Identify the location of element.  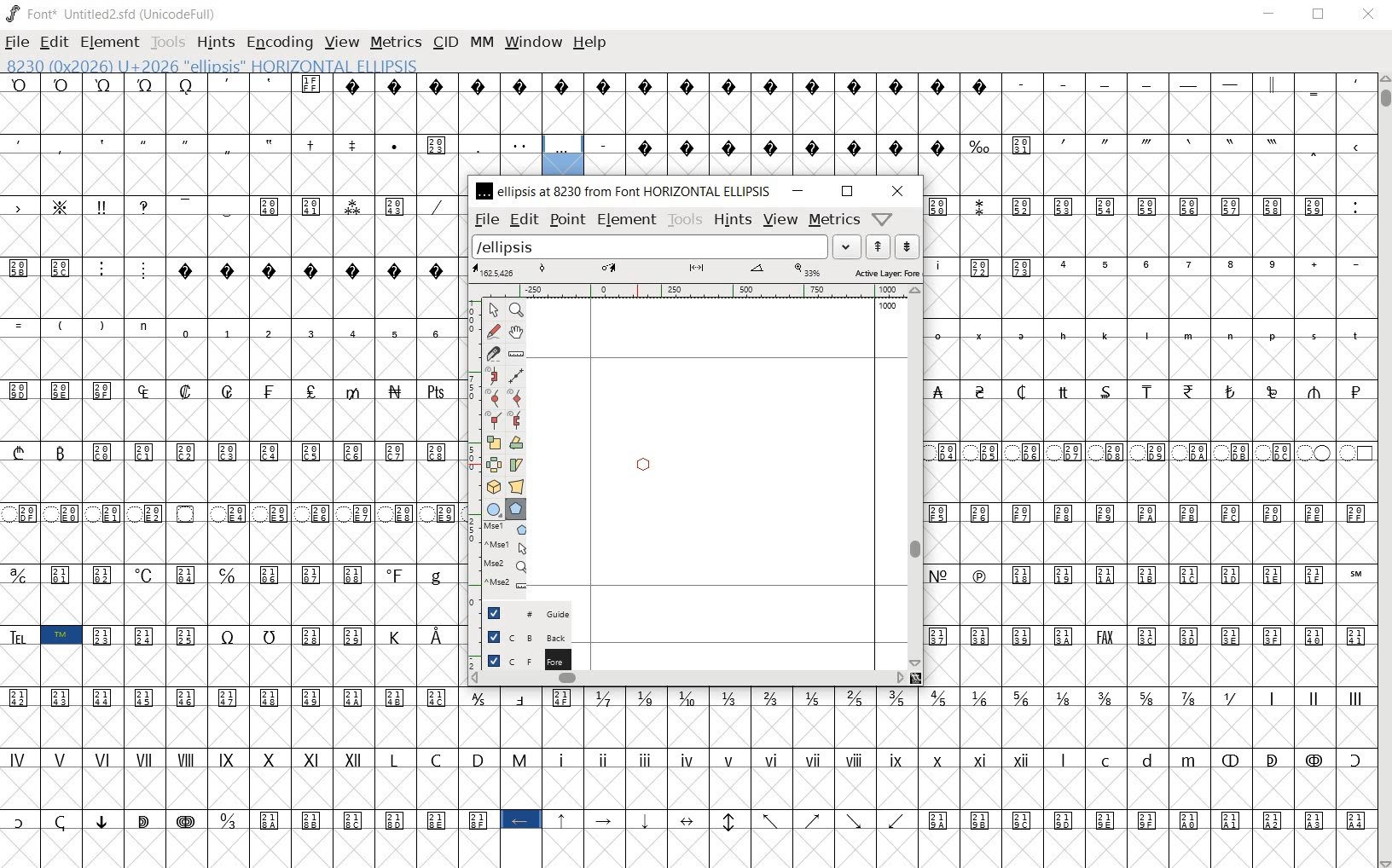
(626, 219).